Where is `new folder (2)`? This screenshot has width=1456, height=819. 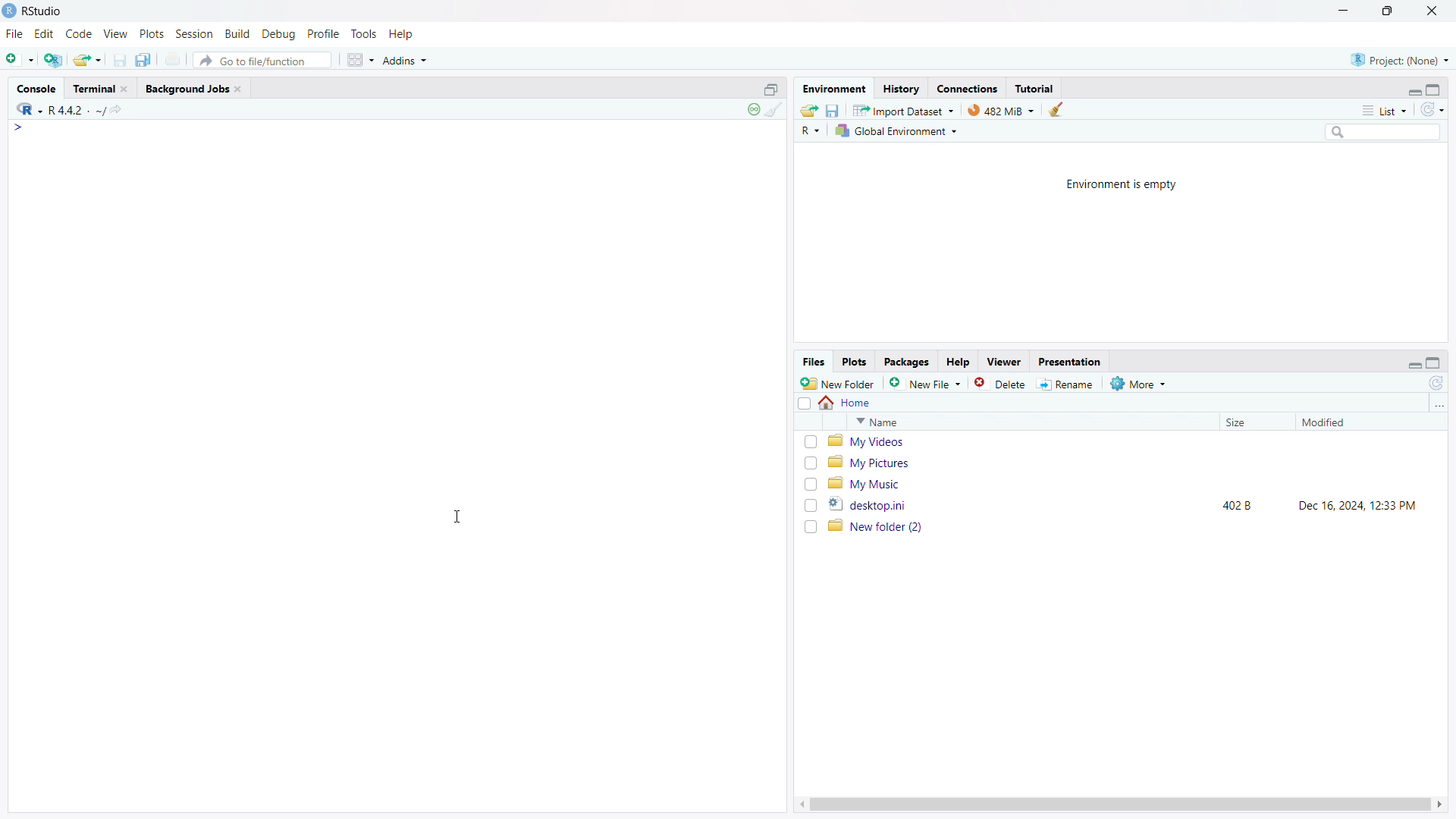
new folder (2) is located at coordinates (1131, 526).